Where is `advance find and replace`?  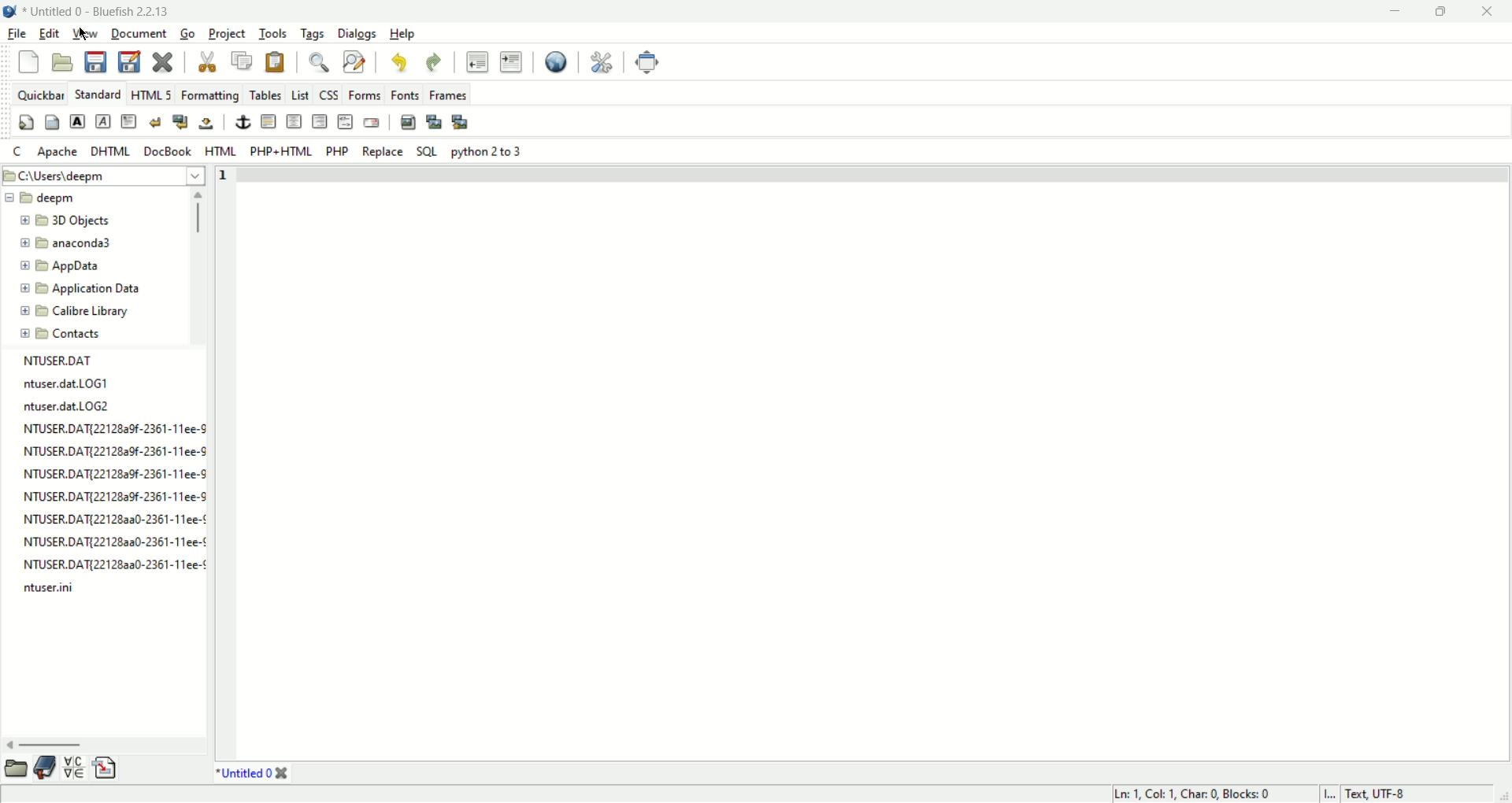 advance find and replace is located at coordinates (355, 61).